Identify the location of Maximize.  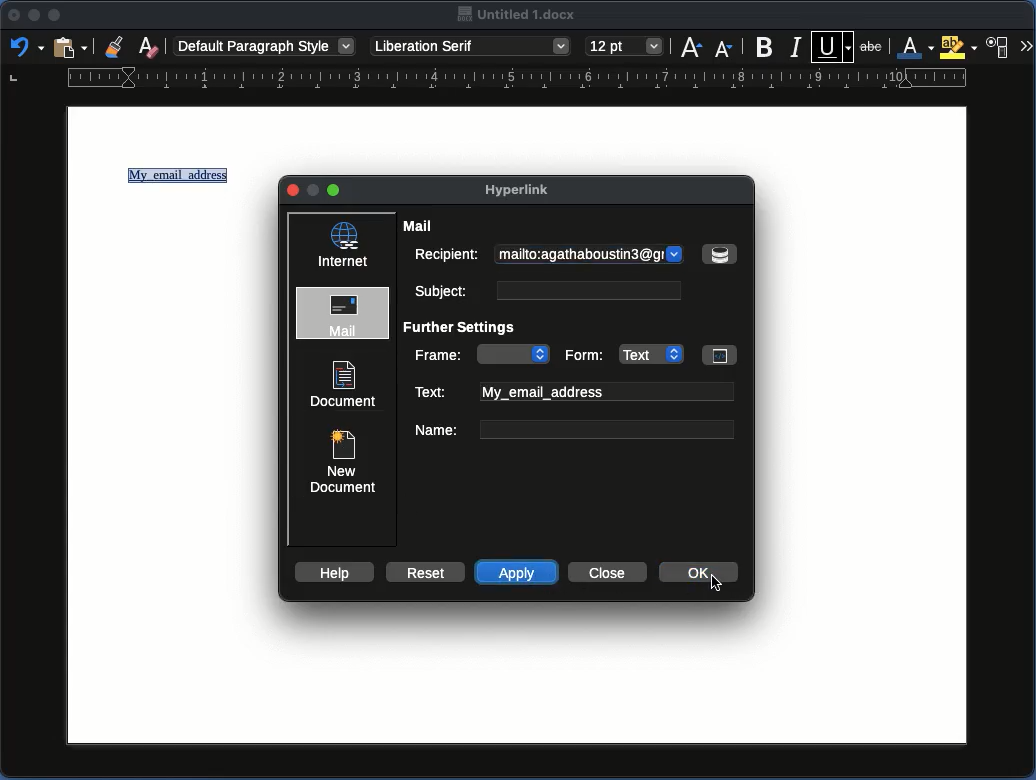
(54, 15).